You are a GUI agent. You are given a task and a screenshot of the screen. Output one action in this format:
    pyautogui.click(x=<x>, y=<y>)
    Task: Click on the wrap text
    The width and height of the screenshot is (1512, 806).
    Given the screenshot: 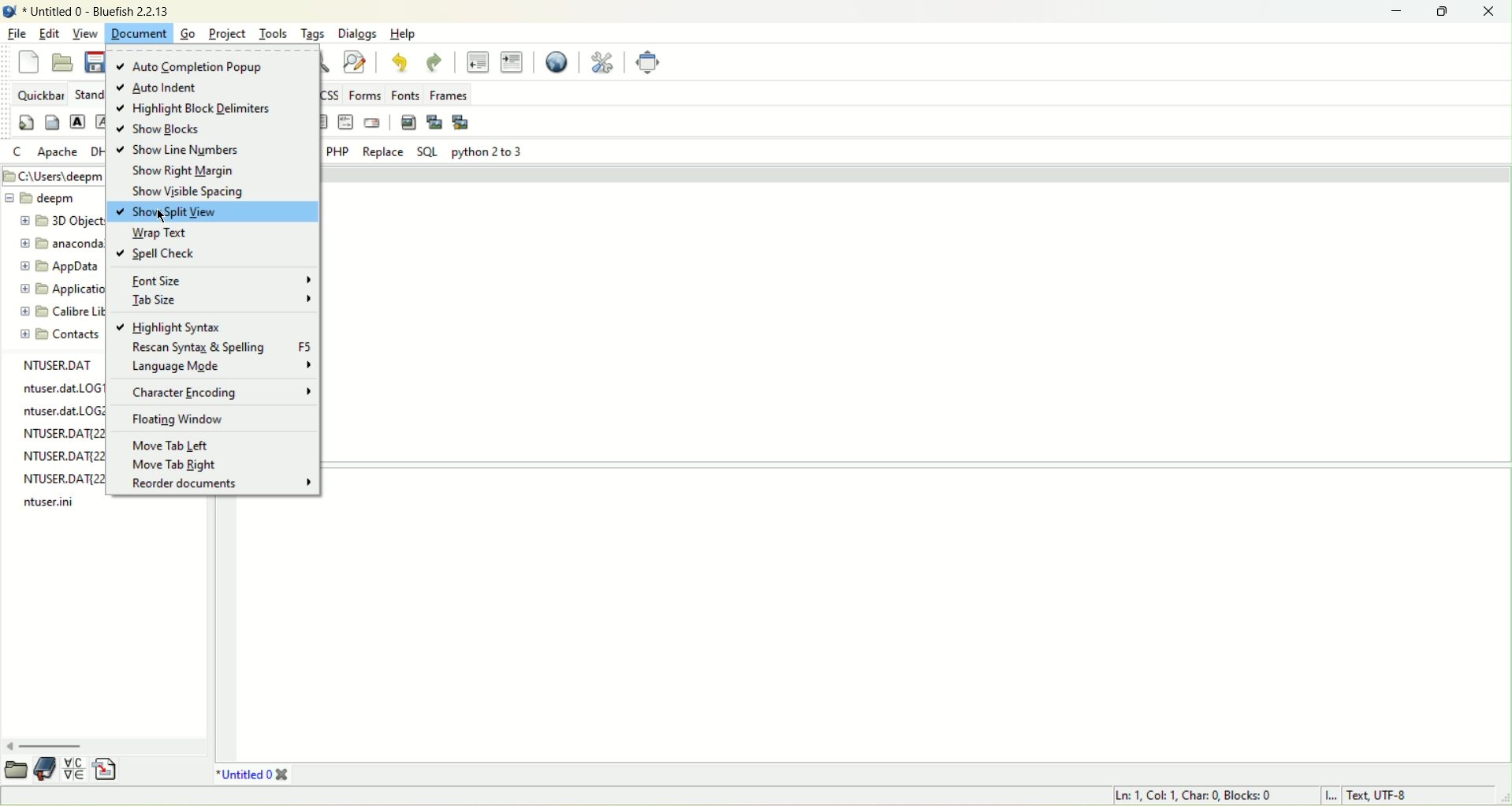 What is the action you would take?
    pyautogui.click(x=196, y=233)
    